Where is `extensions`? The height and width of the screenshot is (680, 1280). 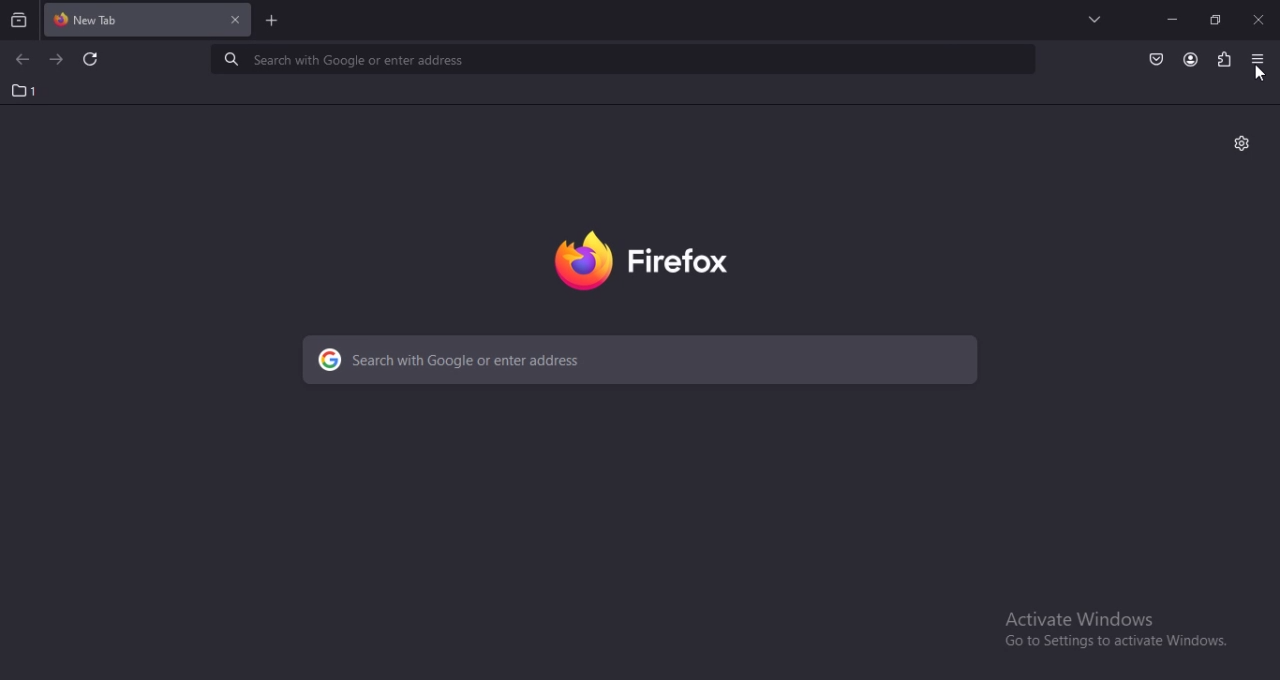
extensions is located at coordinates (1225, 58).